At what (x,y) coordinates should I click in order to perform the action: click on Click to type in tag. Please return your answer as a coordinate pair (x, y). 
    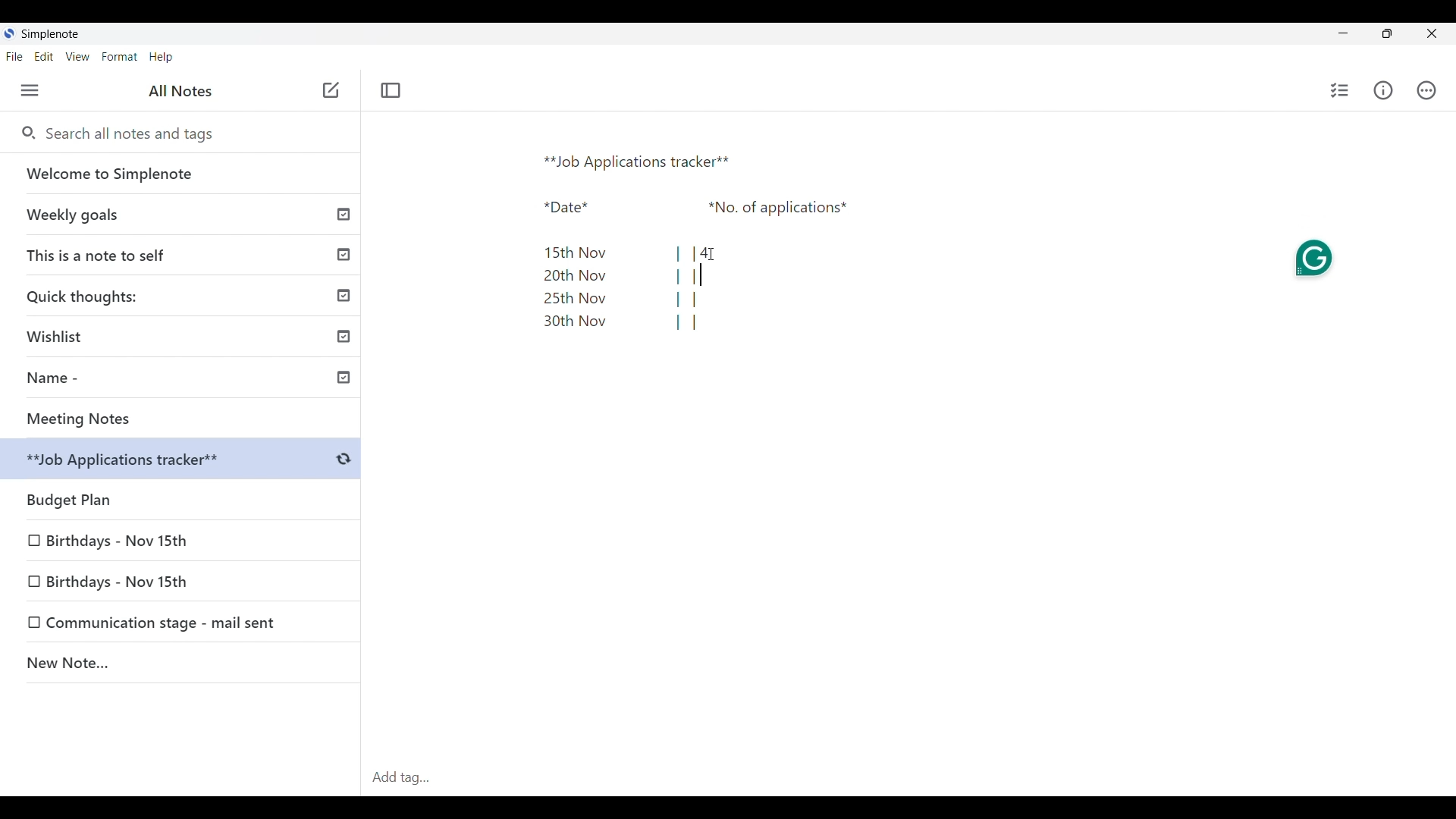
    Looking at the image, I should click on (908, 778).